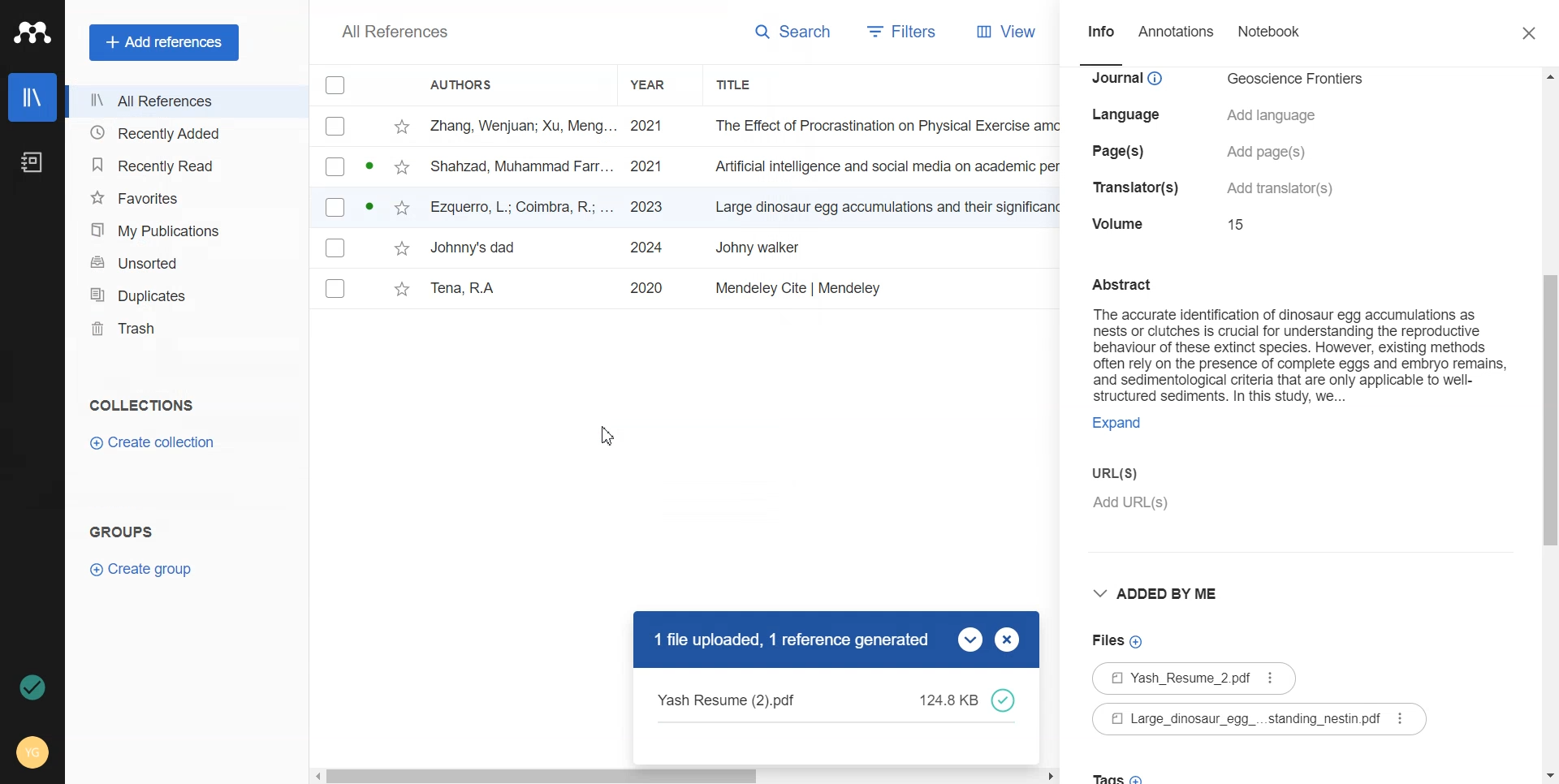 This screenshot has width=1559, height=784. Describe the element at coordinates (749, 125) in the screenshot. I see `File` at that location.